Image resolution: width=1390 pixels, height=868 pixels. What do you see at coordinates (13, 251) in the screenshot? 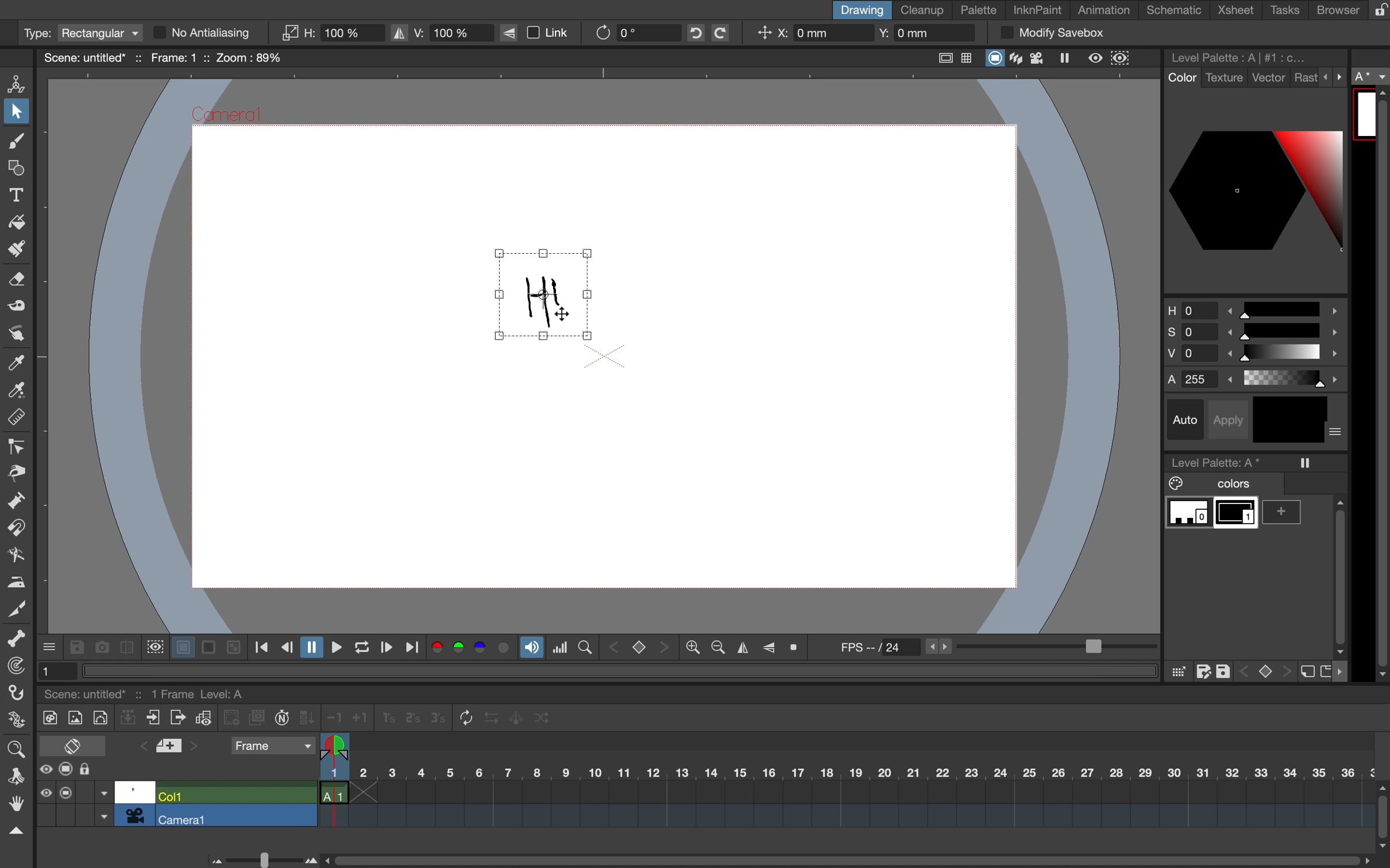
I see `paint brush tool` at bounding box center [13, 251].